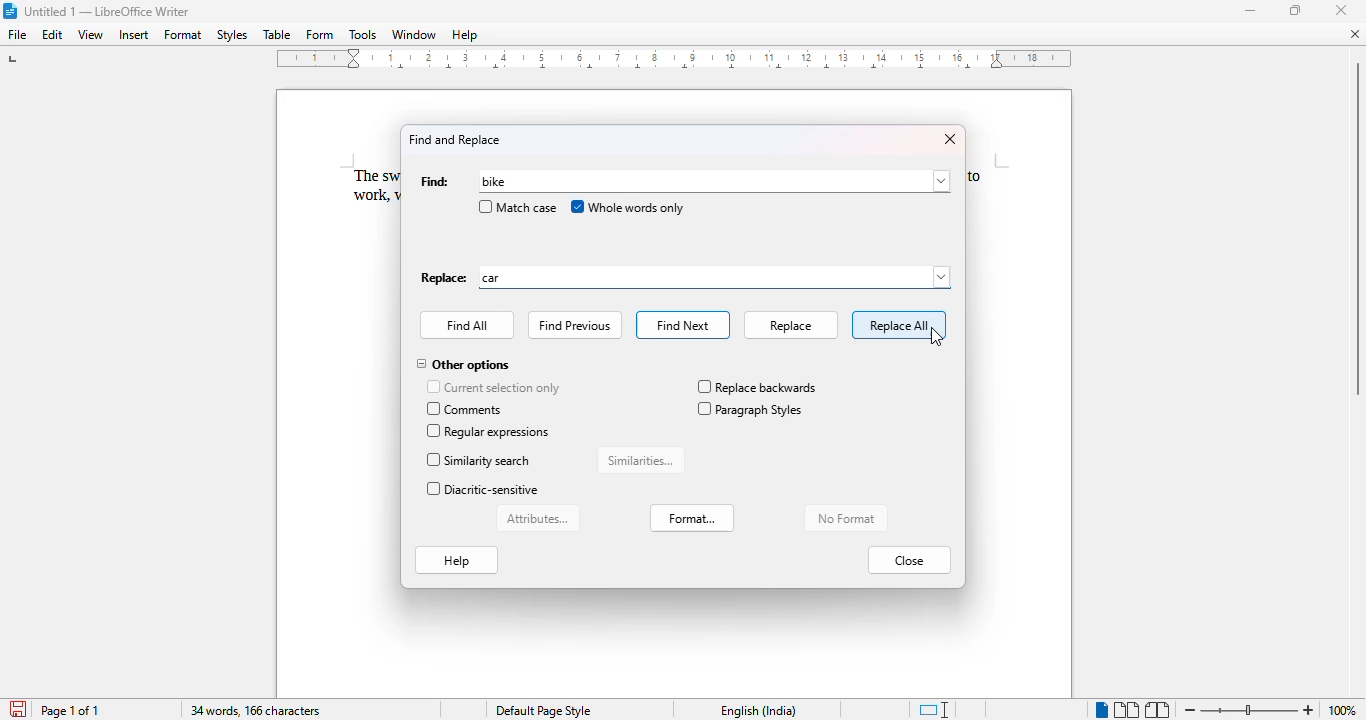 The image size is (1366, 720). Describe the element at coordinates (790, 325) in the screenshot. I see `replace` at that location.